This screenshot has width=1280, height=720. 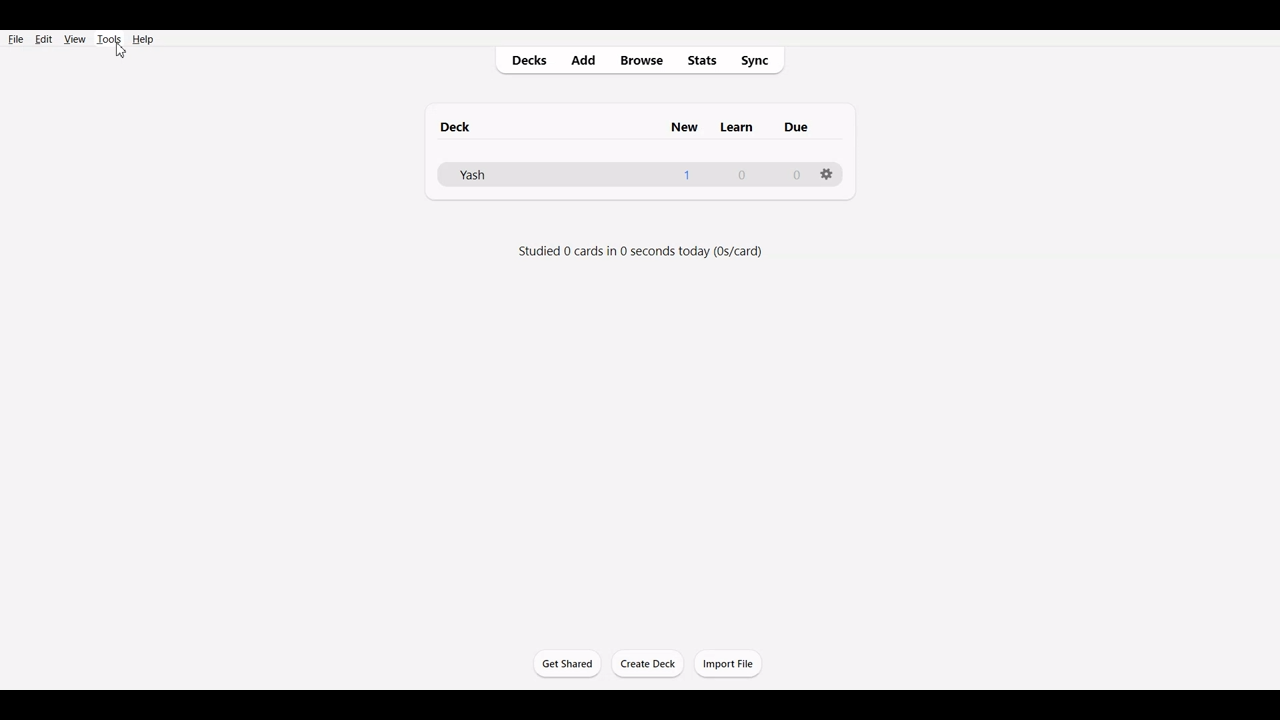 What do you see at coordinates (566, 663) in the screenshot?
I see `Get Started` at bounding box center [566, 663].